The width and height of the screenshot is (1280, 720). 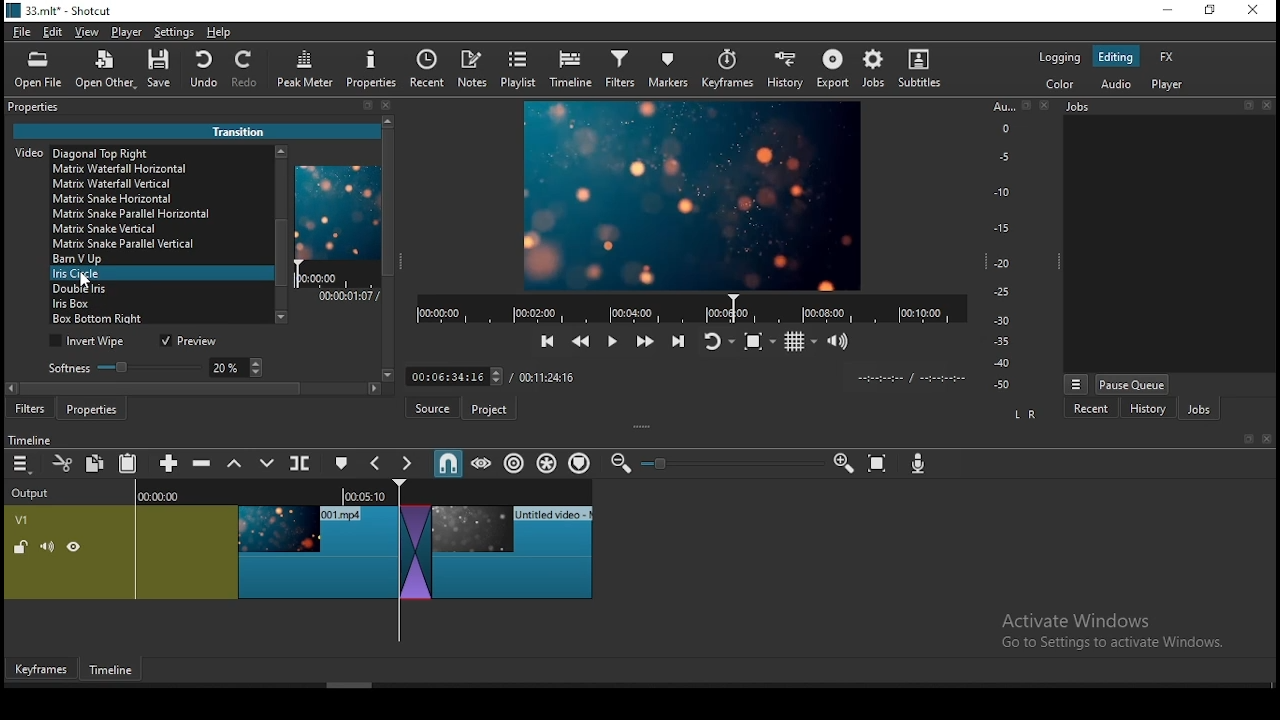 I want to click on filters, so click(x=31, y=410).